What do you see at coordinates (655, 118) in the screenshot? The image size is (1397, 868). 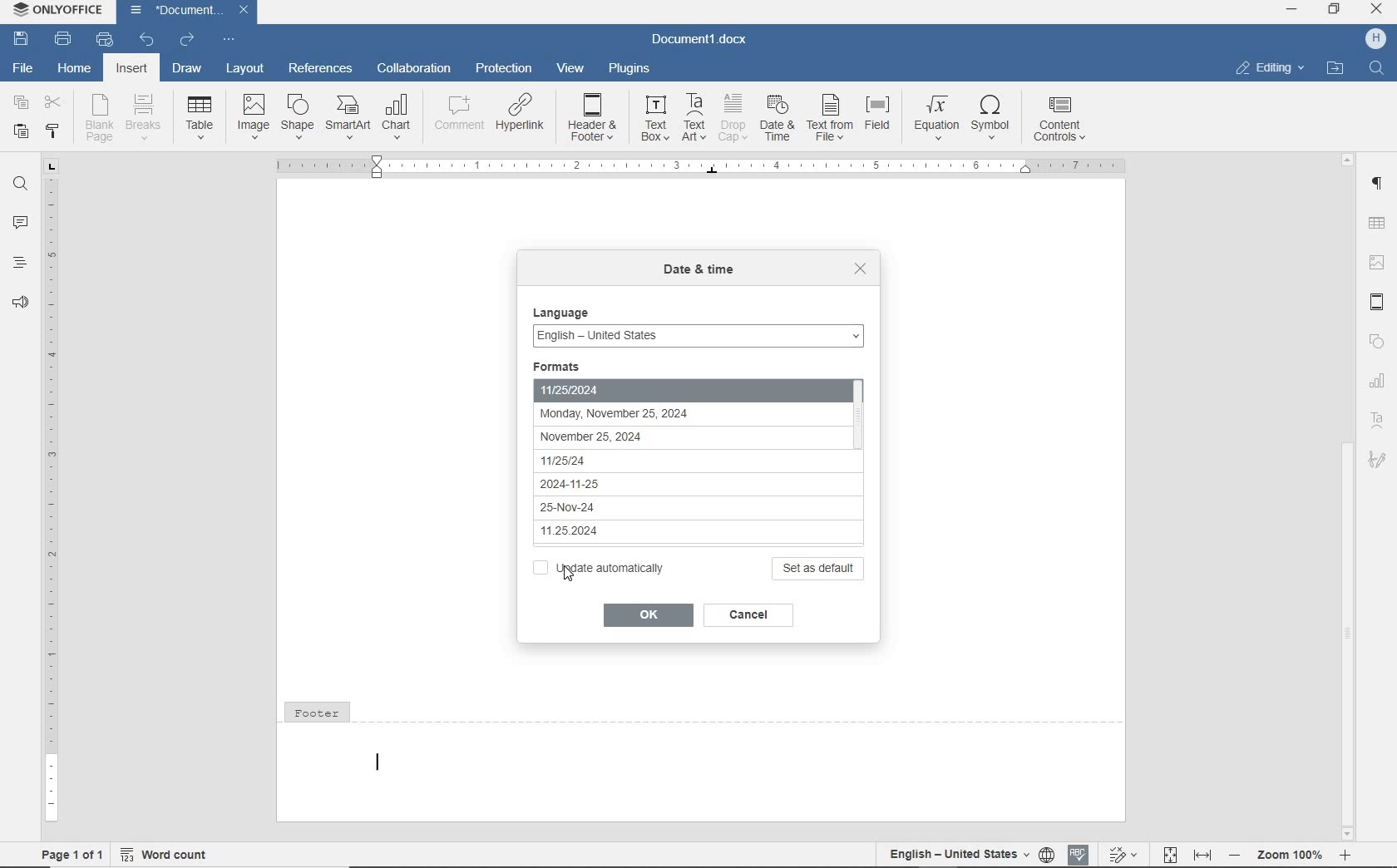 I see `text box` at bounding box center [655, 118].